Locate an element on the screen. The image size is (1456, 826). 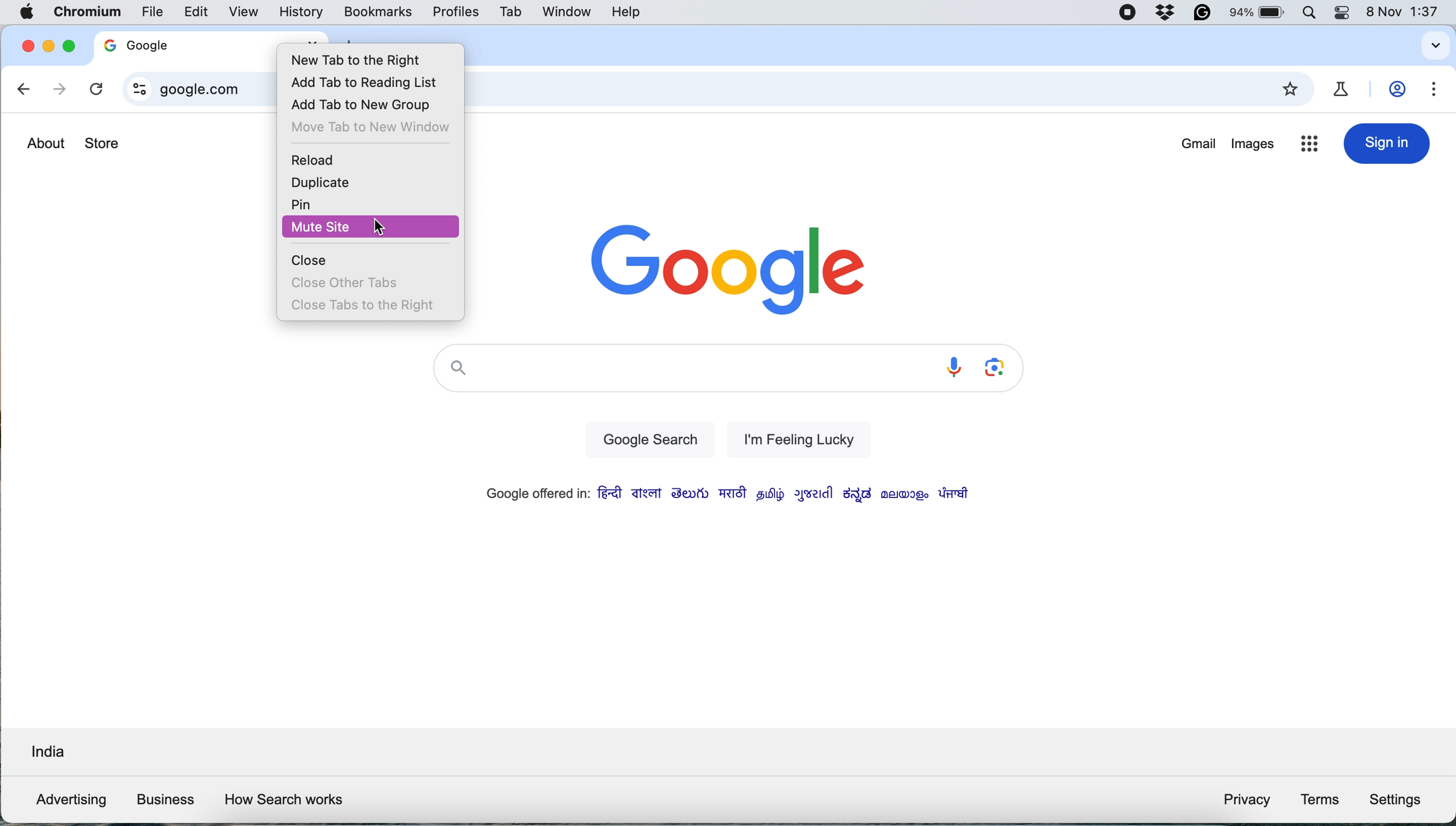
maximise is located at coordinates (66, 46).